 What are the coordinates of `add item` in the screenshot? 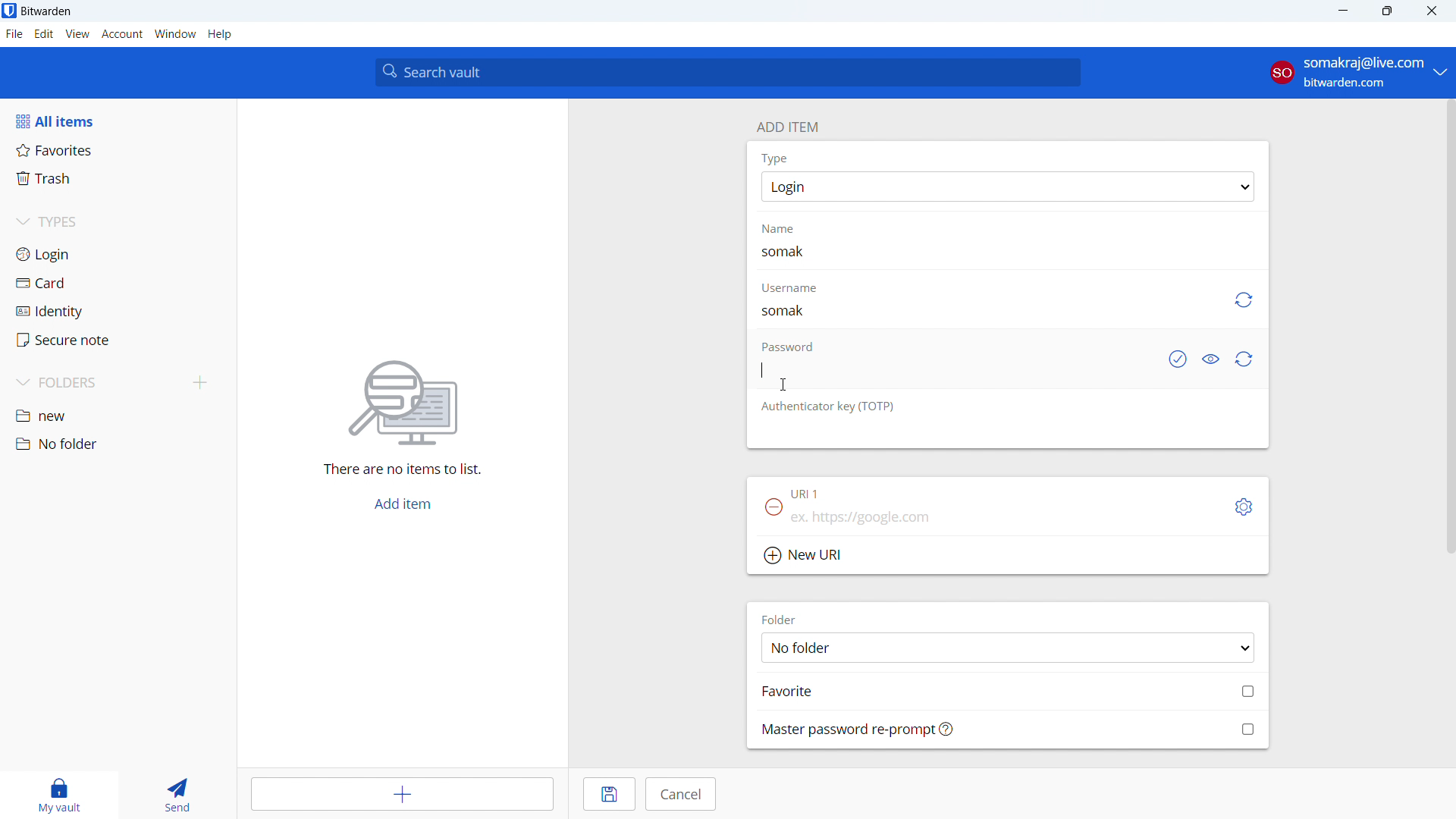 It's located at (405, 794).